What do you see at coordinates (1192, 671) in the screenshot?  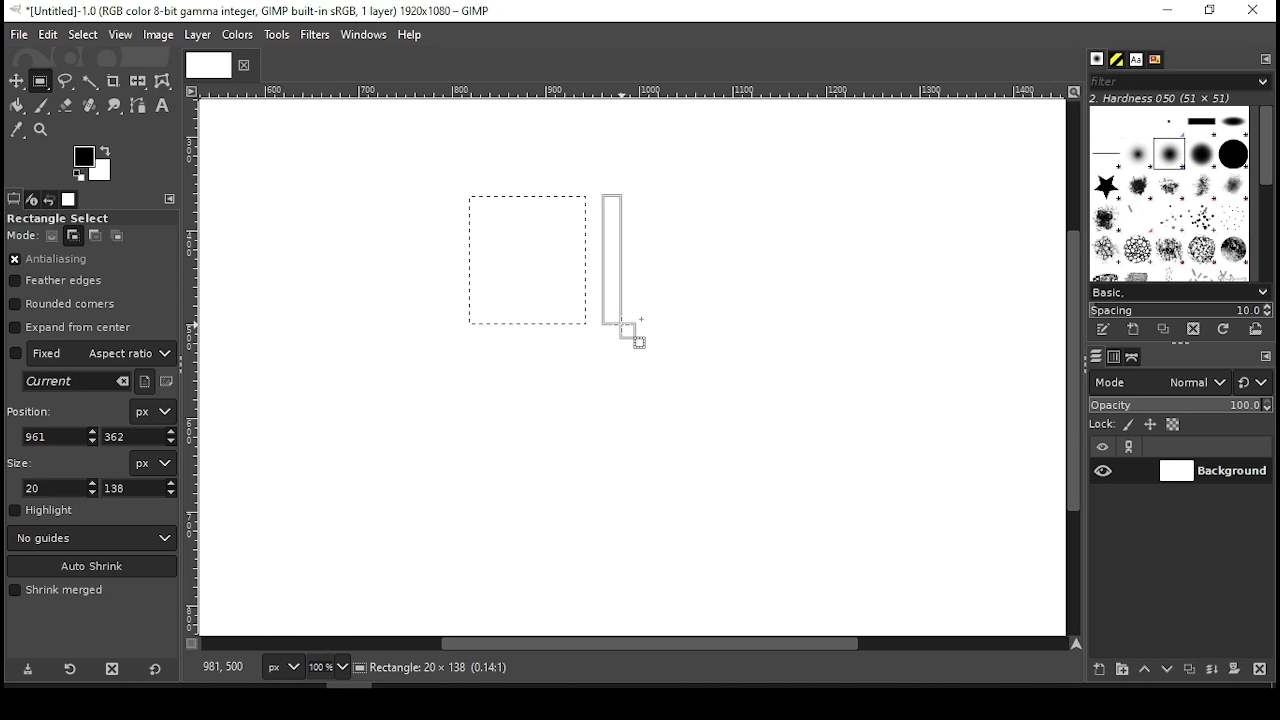 I see `duplicate layer` at bounding box center [1192, 671].